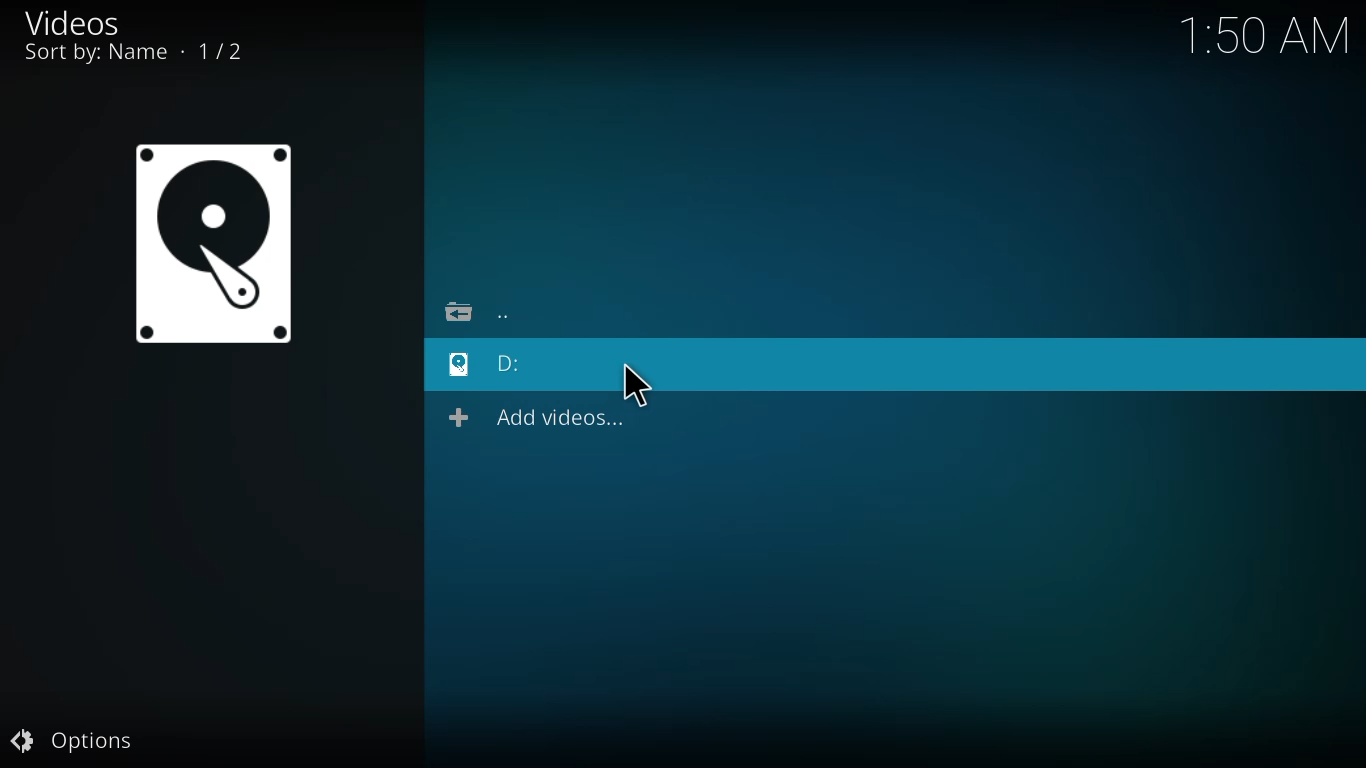  I want to click on sort by name, so click(133, 56).